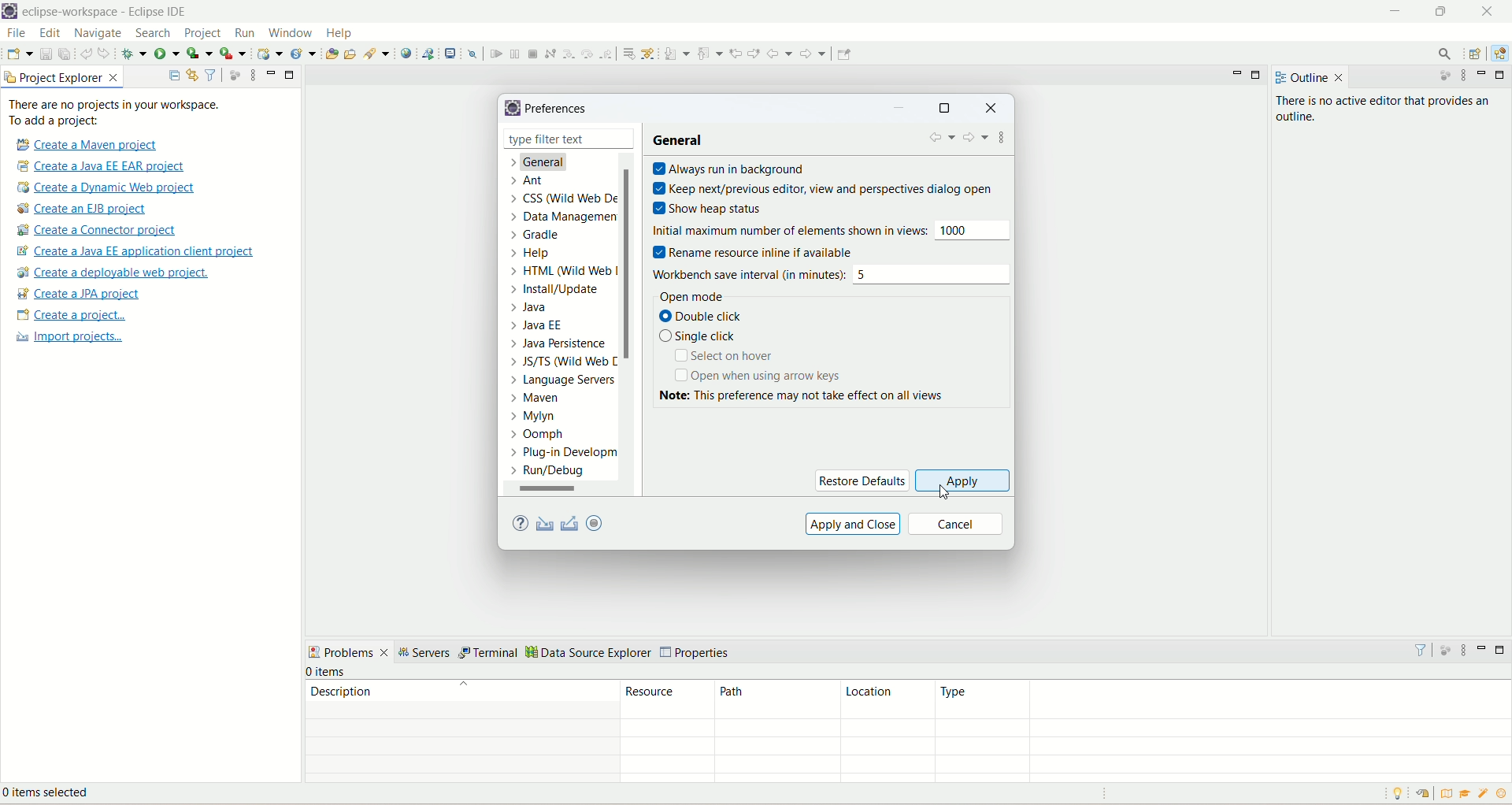 The image size is (1512, 805). What do you see at coordinates (626, 53) in the screenshot?
I see `drop to frames` at bounding box center [626, 53].